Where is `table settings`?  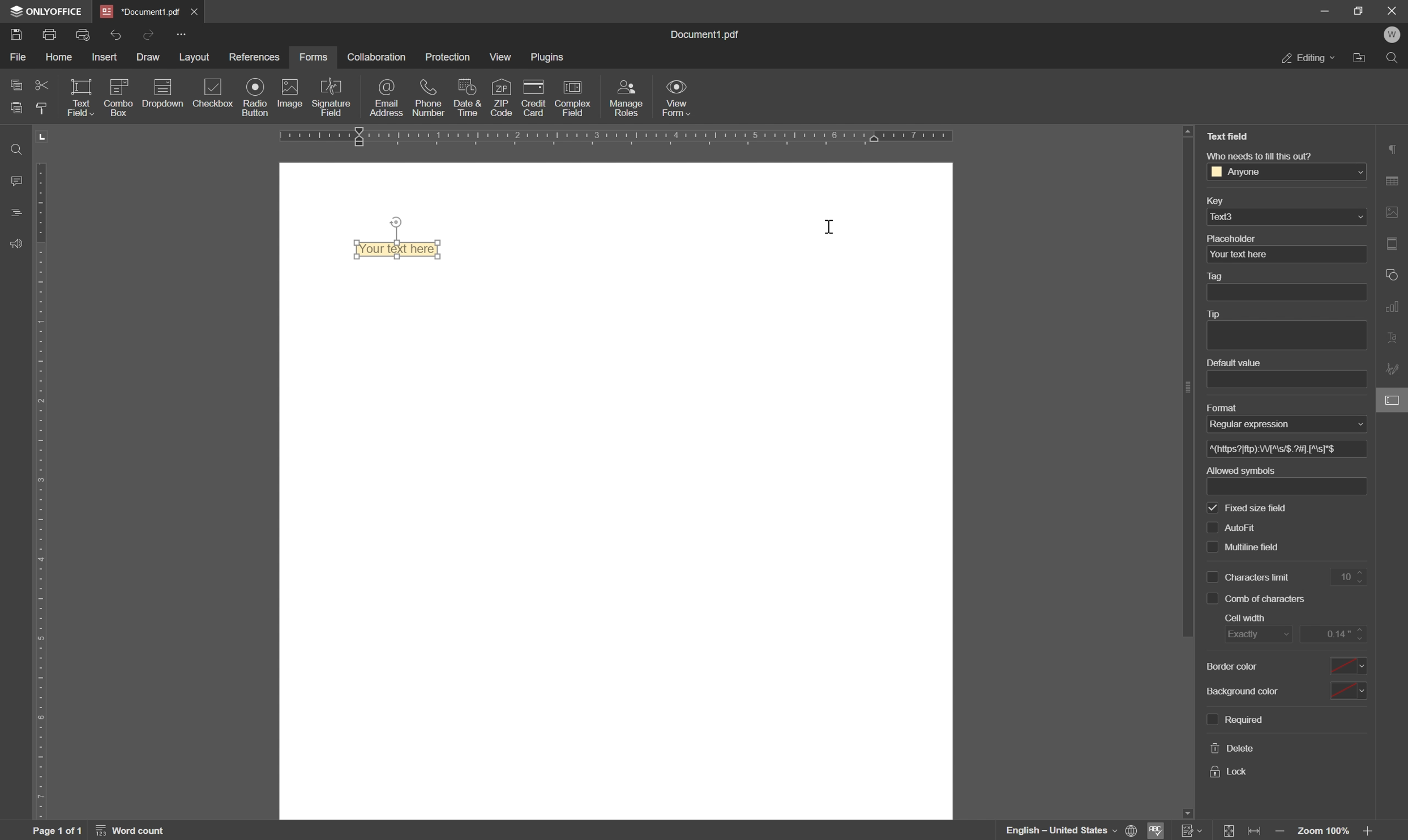 table settings is located at coordinates (1395, 180).